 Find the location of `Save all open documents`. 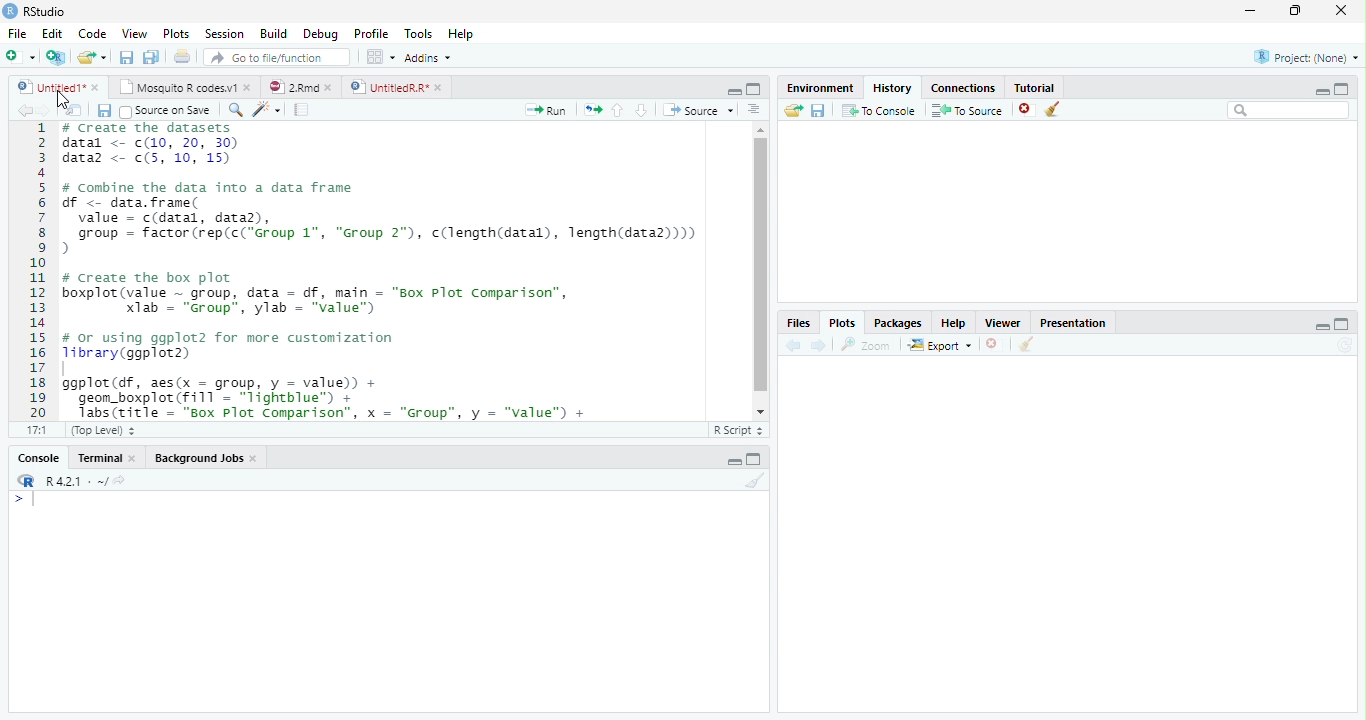

Save all open documents is located at coordinates (151, 56).